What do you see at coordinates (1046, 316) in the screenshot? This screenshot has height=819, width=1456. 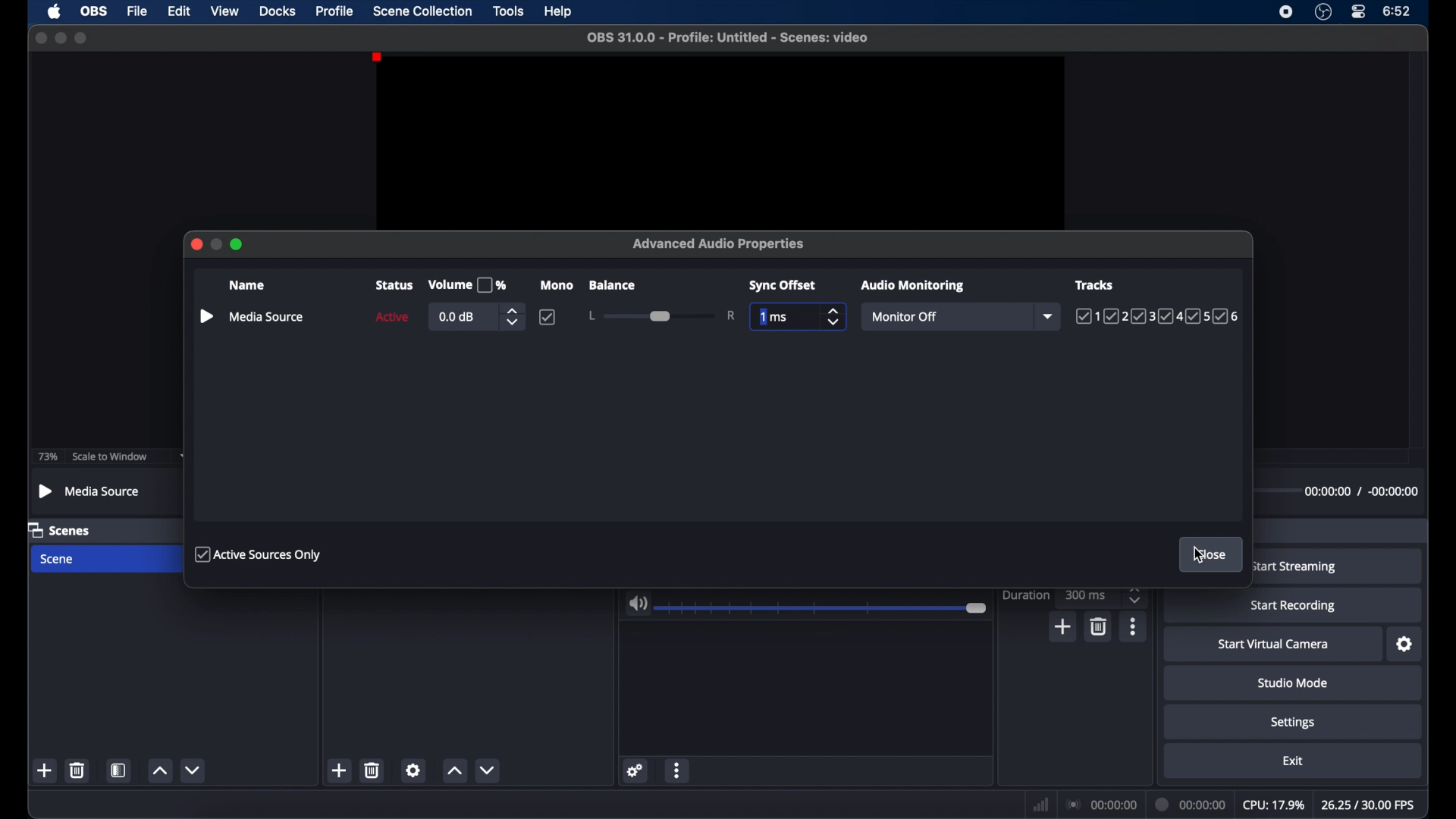 I see `dropdown` at bounding box center [1046, 316].